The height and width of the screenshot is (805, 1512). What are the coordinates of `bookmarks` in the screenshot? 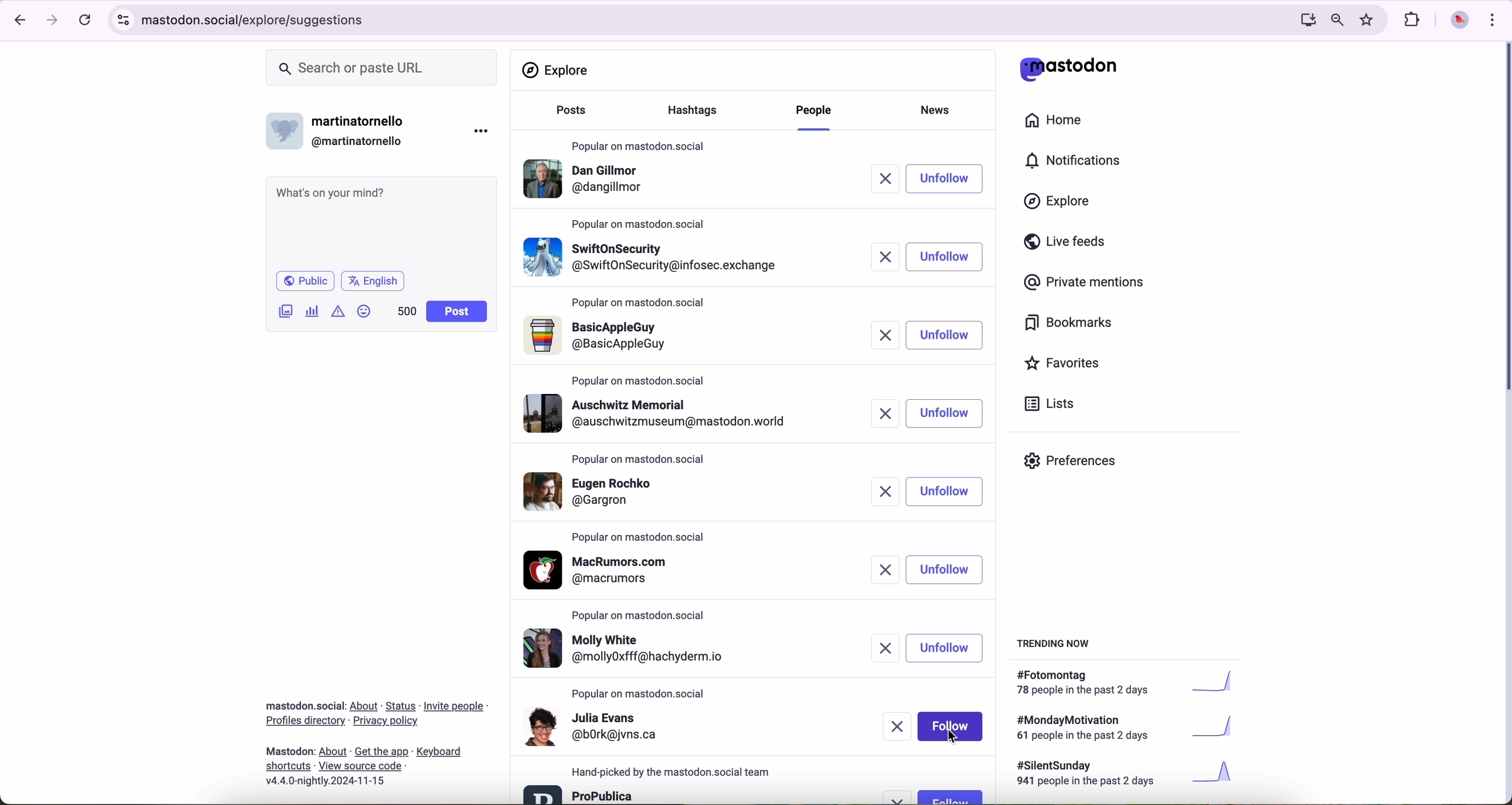 It's located at (1069, 325).